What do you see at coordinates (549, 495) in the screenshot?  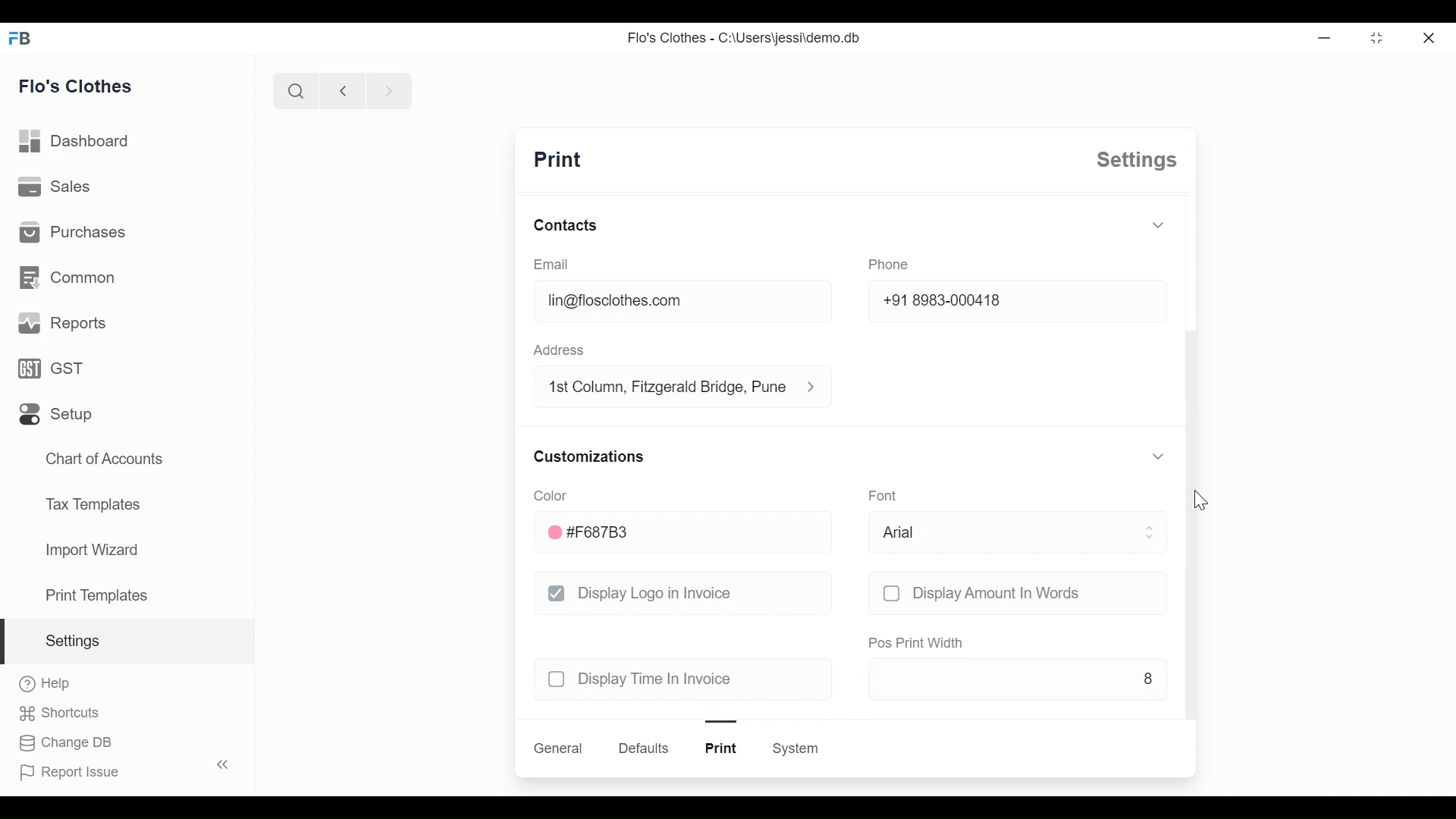 I see `color` at bounding box center [549, 495].